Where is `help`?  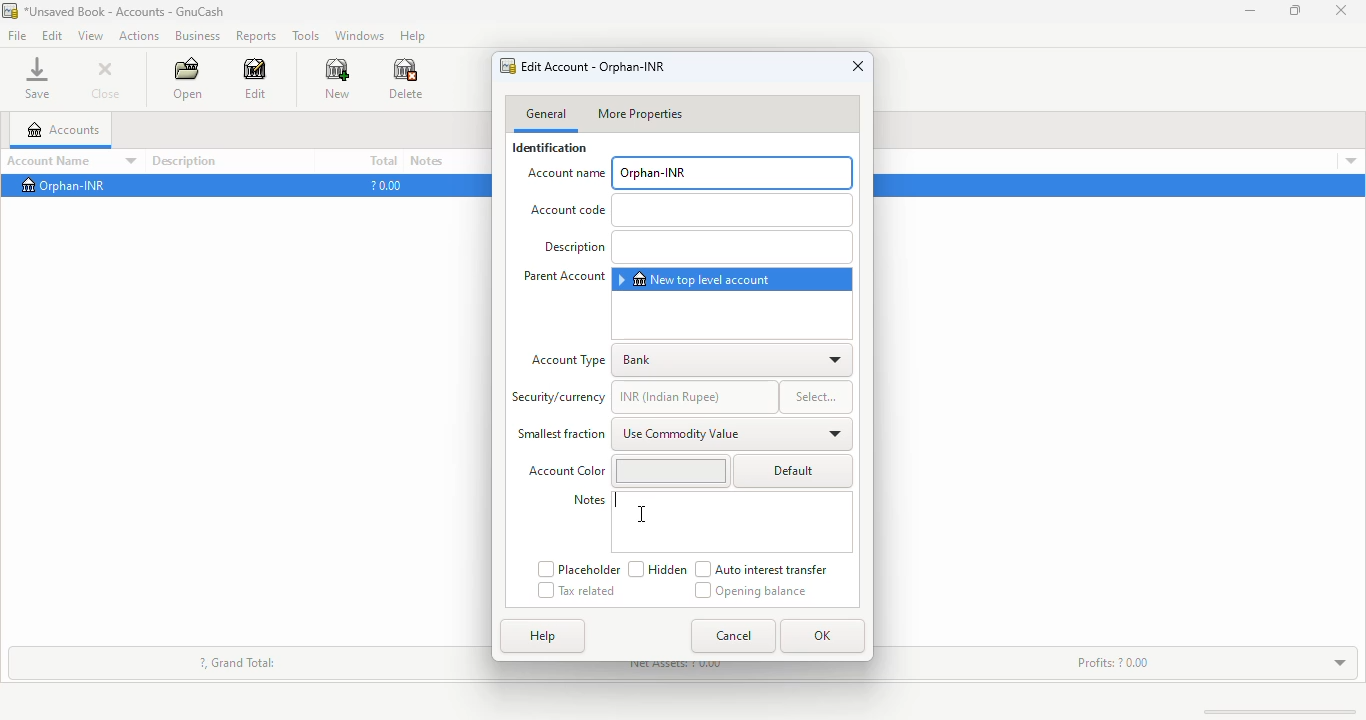 help is located at coordinates (415, 36).